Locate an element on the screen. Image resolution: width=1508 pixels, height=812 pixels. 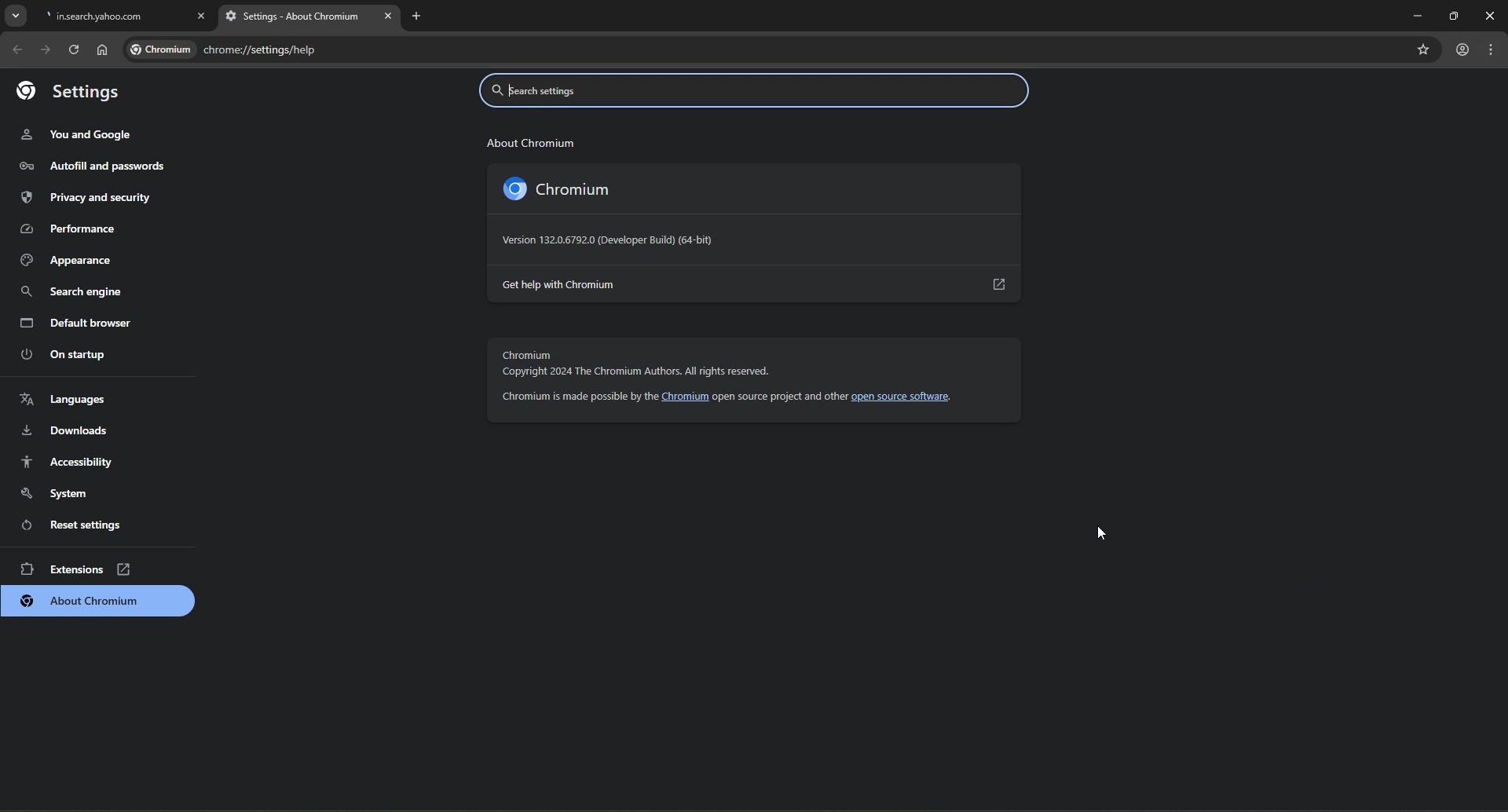
Customize and control google chromium is located at coordinates (1493, 51).